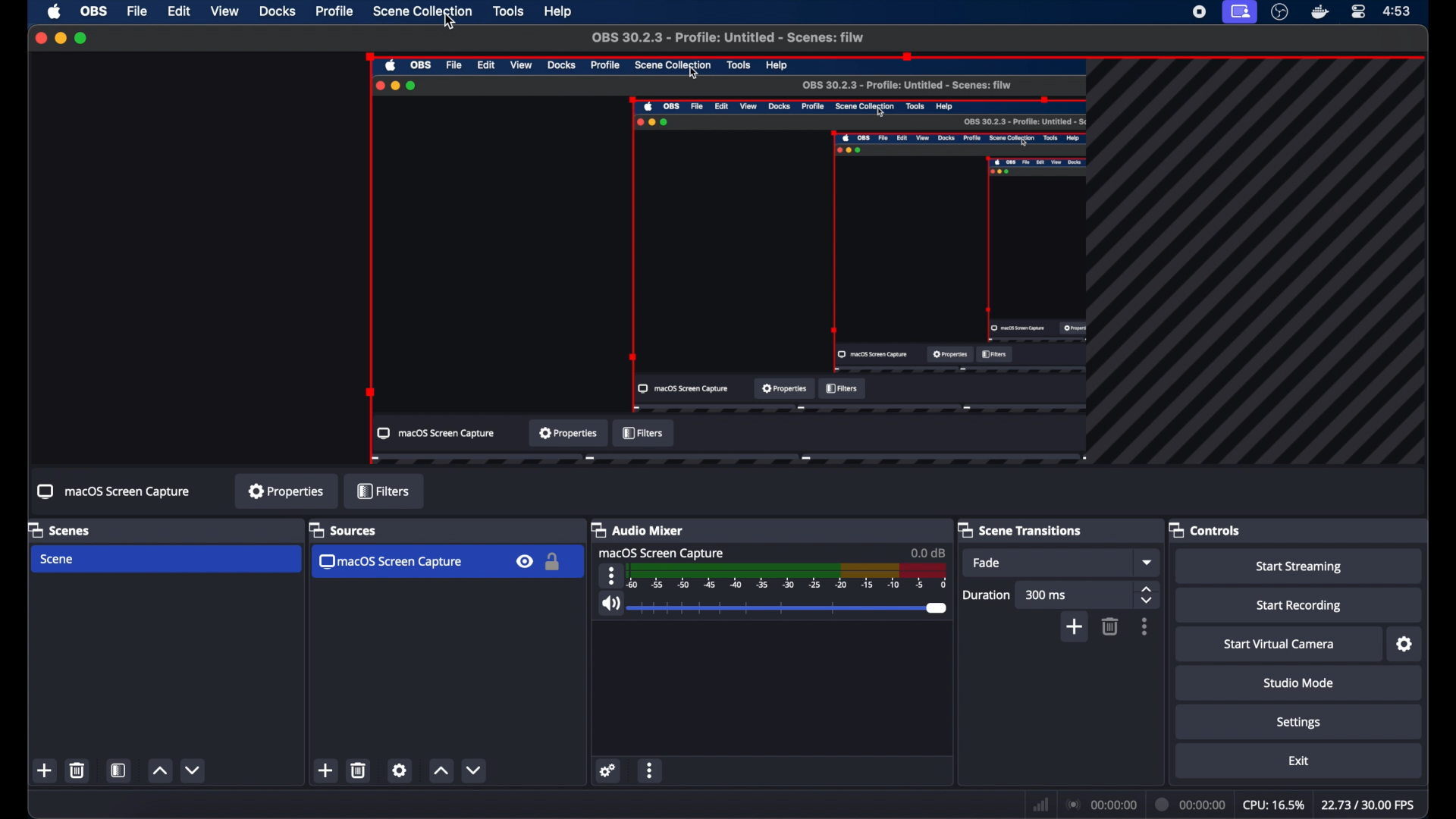  What do you see at coordinates (473, 769) in the screenshot?
I see `decrement` at bounding box center [473, 769].